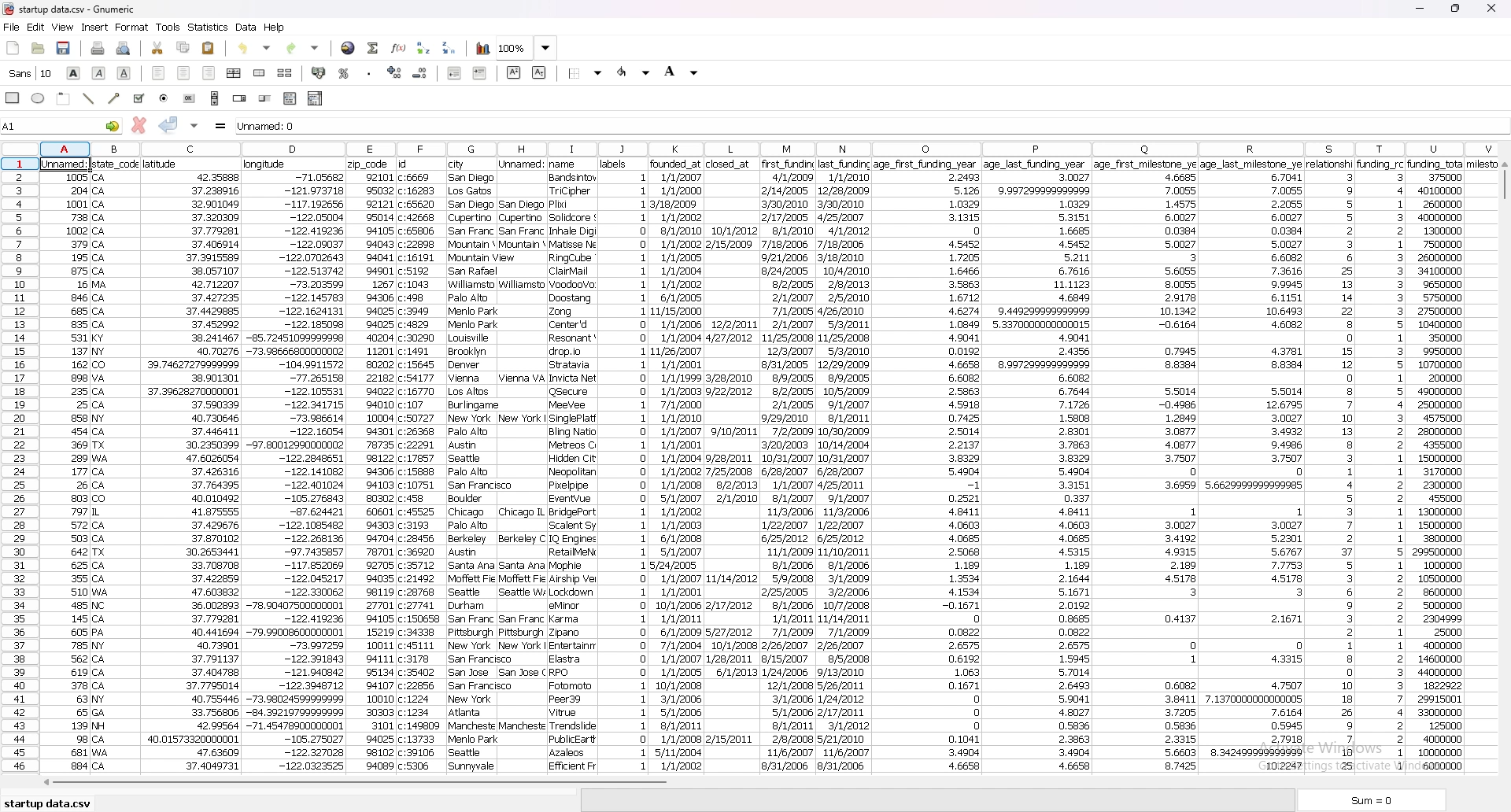 This screenshot has width=1511, height=812. What do you see at coordinates (369, 72) in the screenshot?
I see `thousands separator` at bounding box center [369, 72].